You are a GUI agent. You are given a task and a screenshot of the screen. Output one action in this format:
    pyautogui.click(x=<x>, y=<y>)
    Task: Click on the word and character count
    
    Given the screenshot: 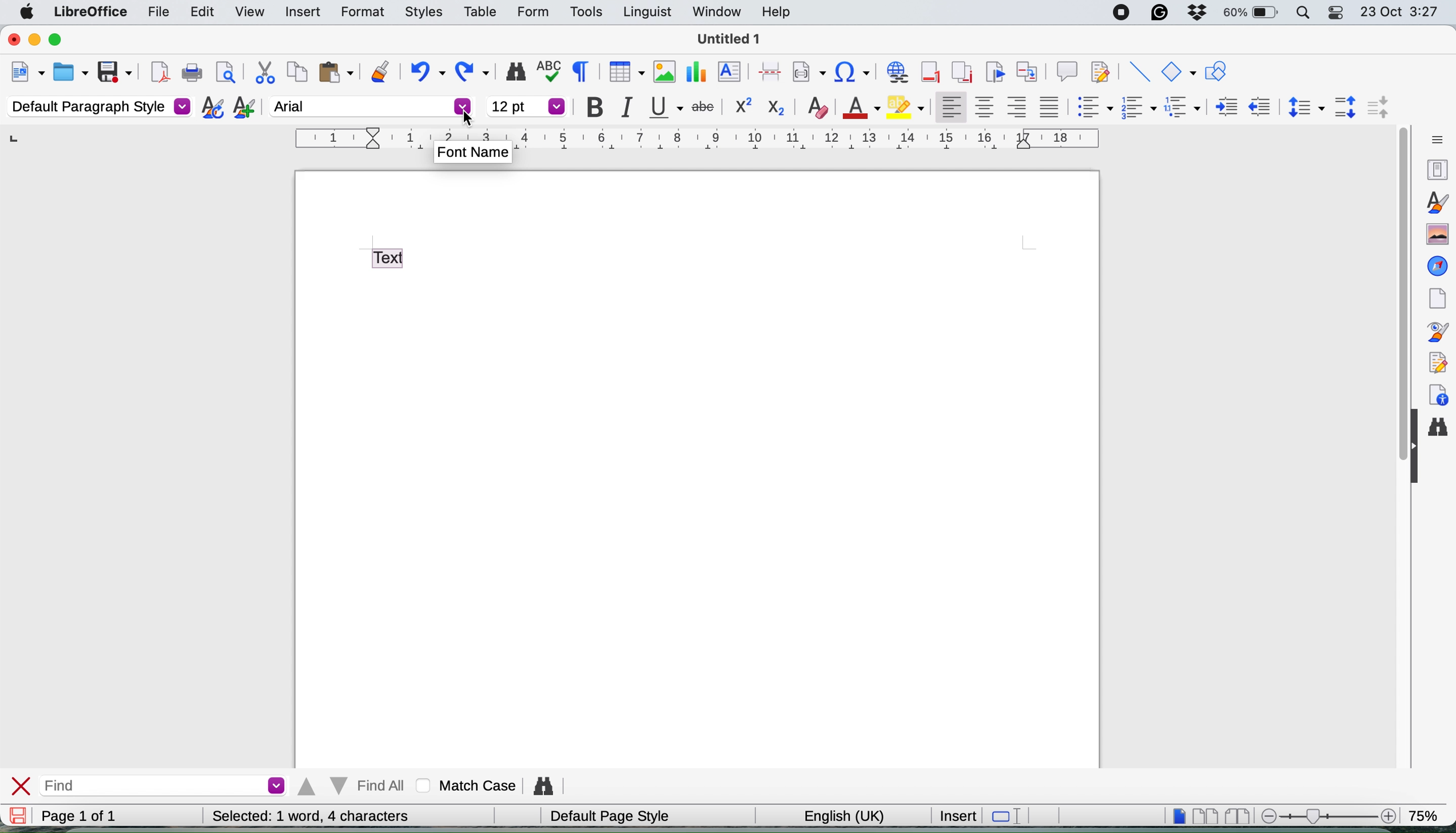 What is the action you would take?
    pyautogui.click(x=339, y=816)
    